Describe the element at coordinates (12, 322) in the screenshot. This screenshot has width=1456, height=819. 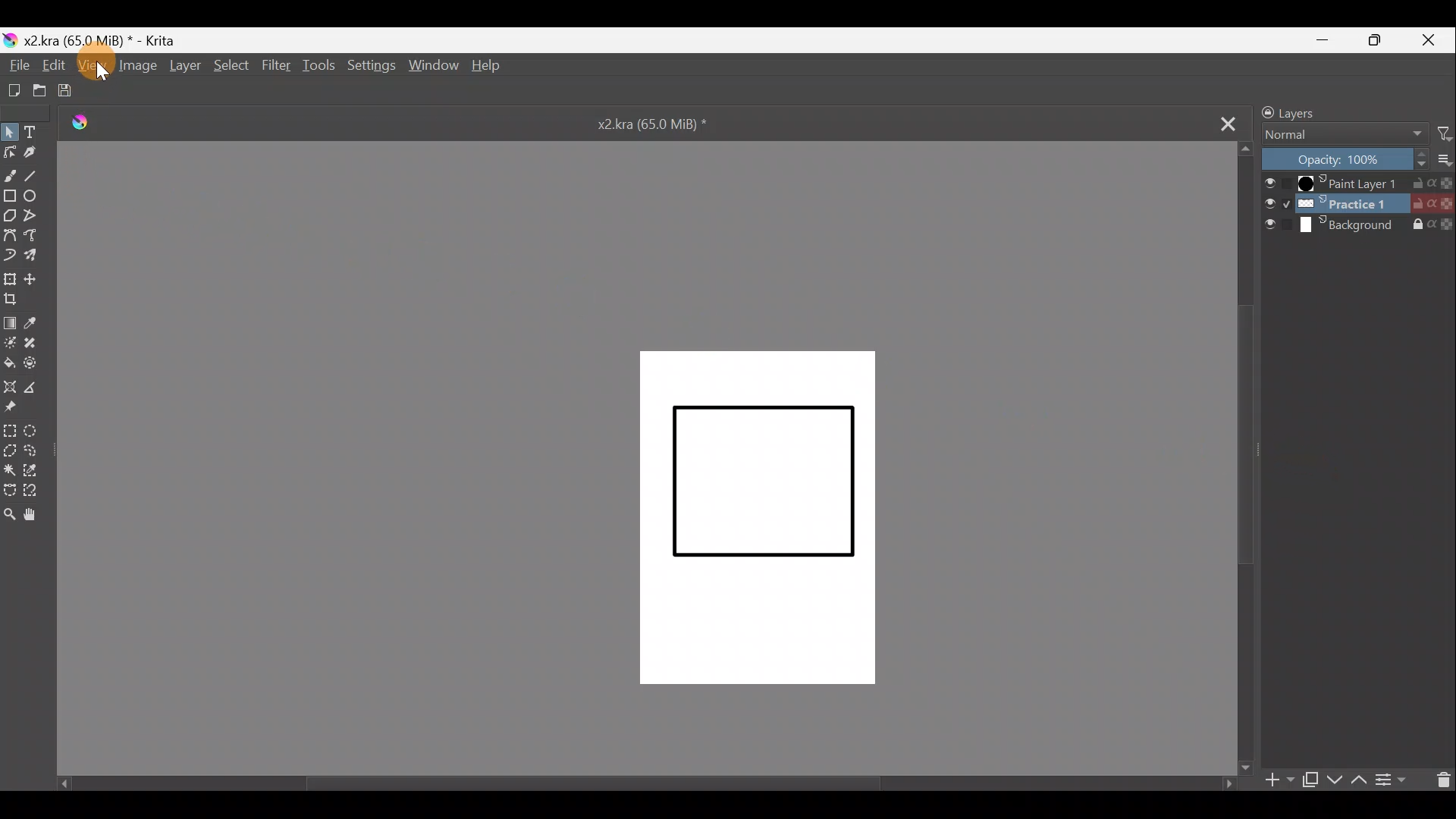
I see `Draw a gradient` at that location.